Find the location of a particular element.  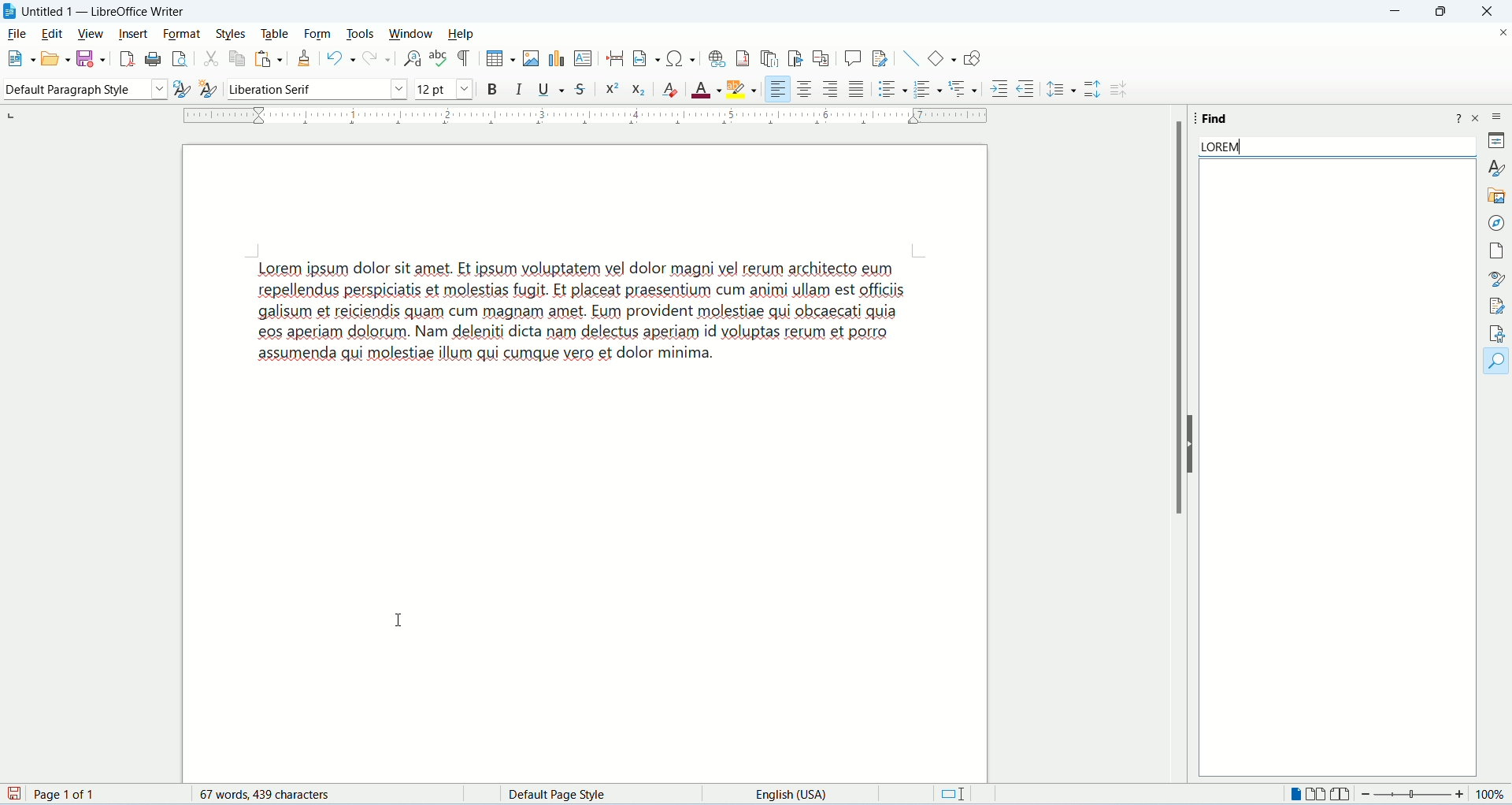

form is located at coordinates (319, 34).